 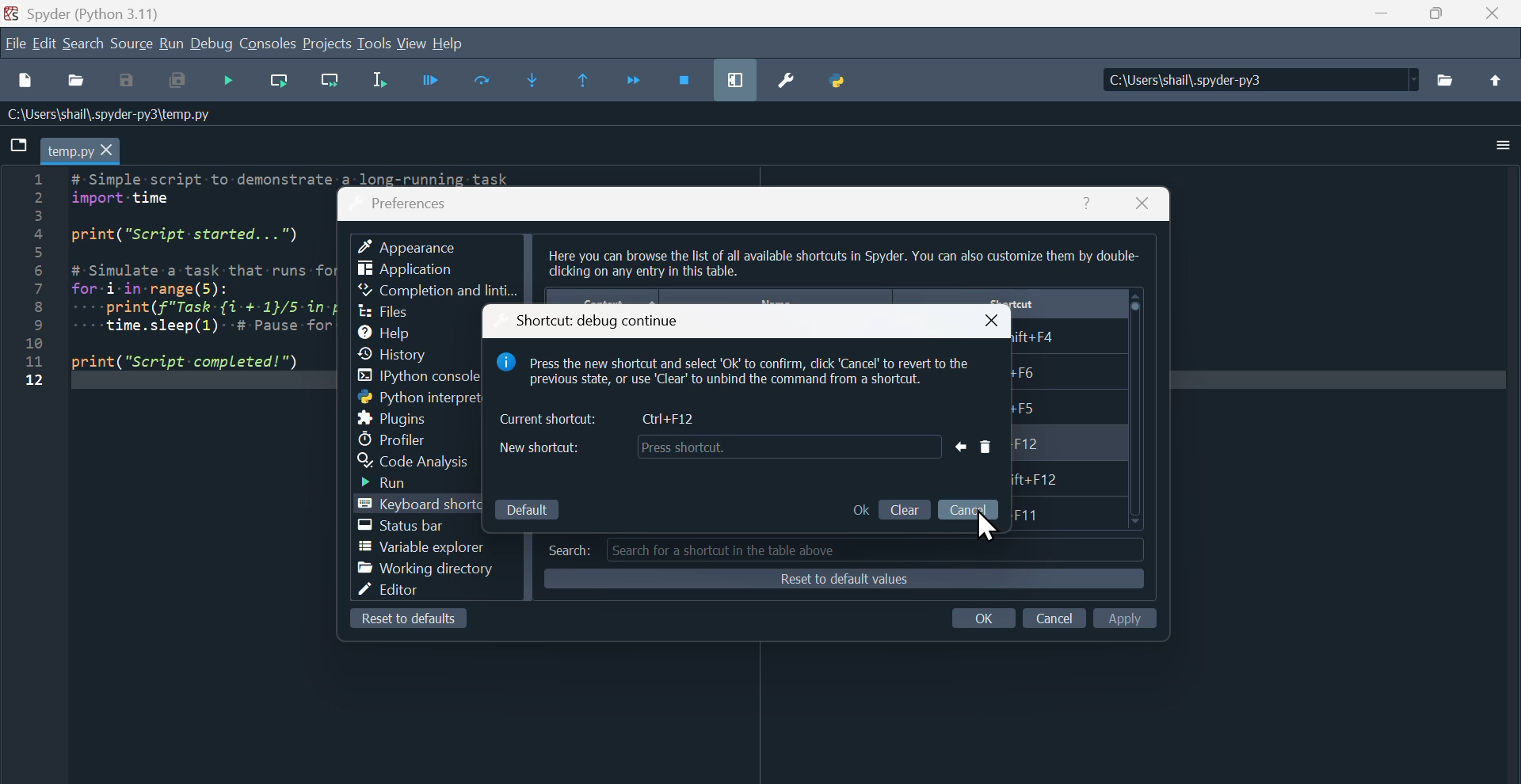 What do you see at coordinates (1492, 18) in the screenshot?
I see `close` at bounding box center [1492, 18].